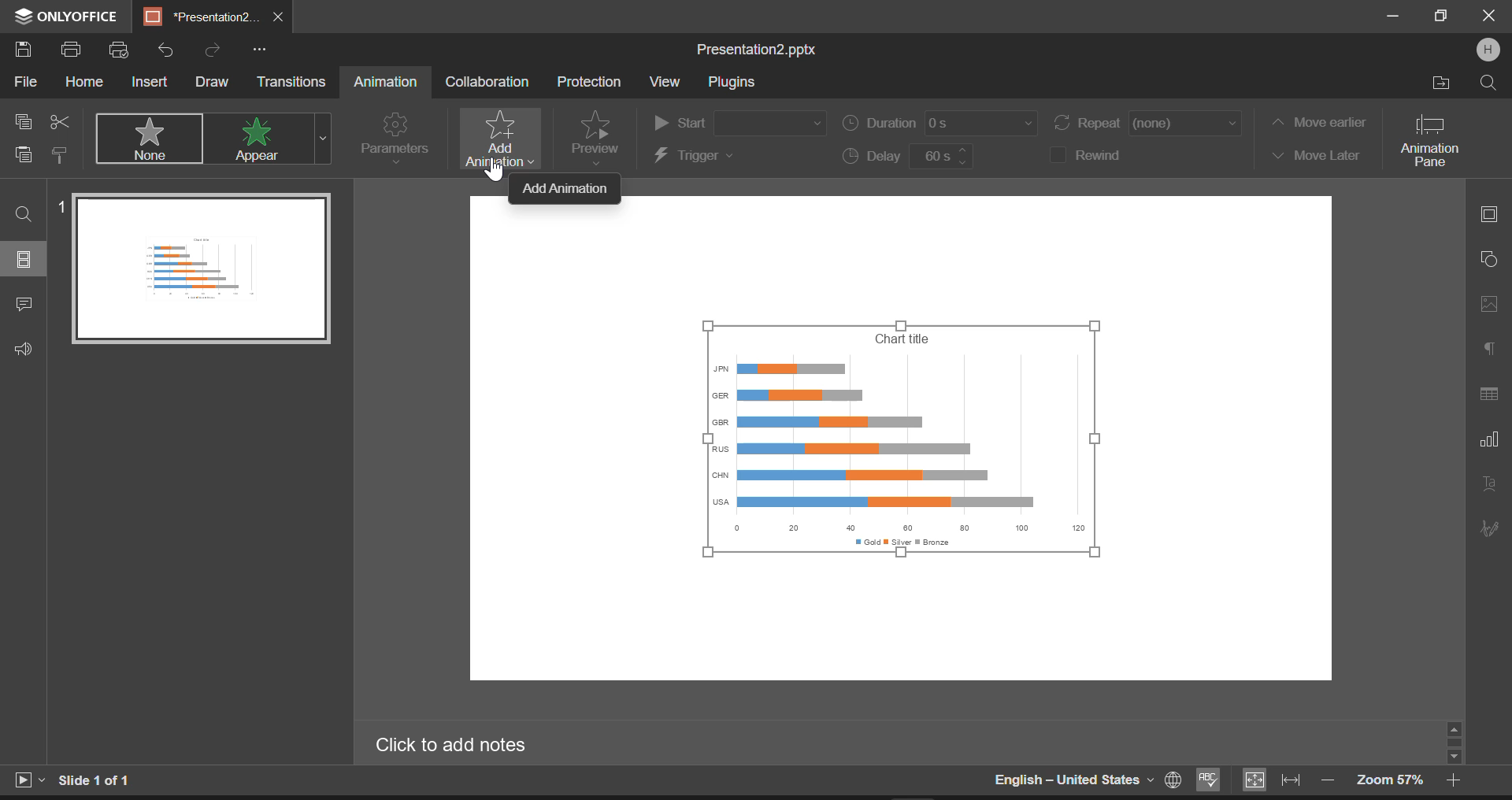 Image resolution: width=1512 pixels, height=800 pixels. What do you see at coordinates (25, 259) in the screenshot?
I see `Slides` at bounding box center [25, 259].